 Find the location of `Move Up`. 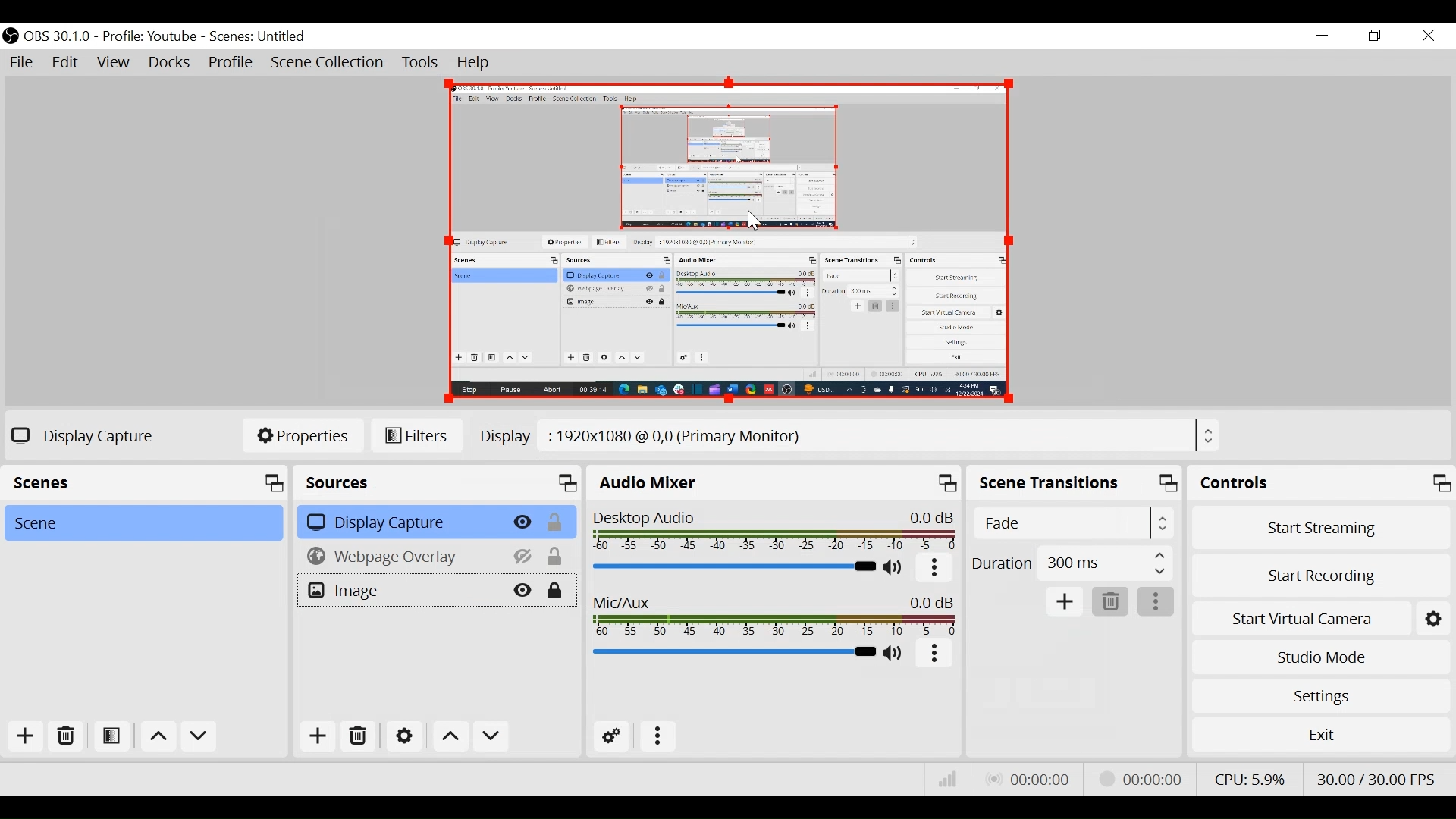

Move Up is located at coordinates (157, 738).